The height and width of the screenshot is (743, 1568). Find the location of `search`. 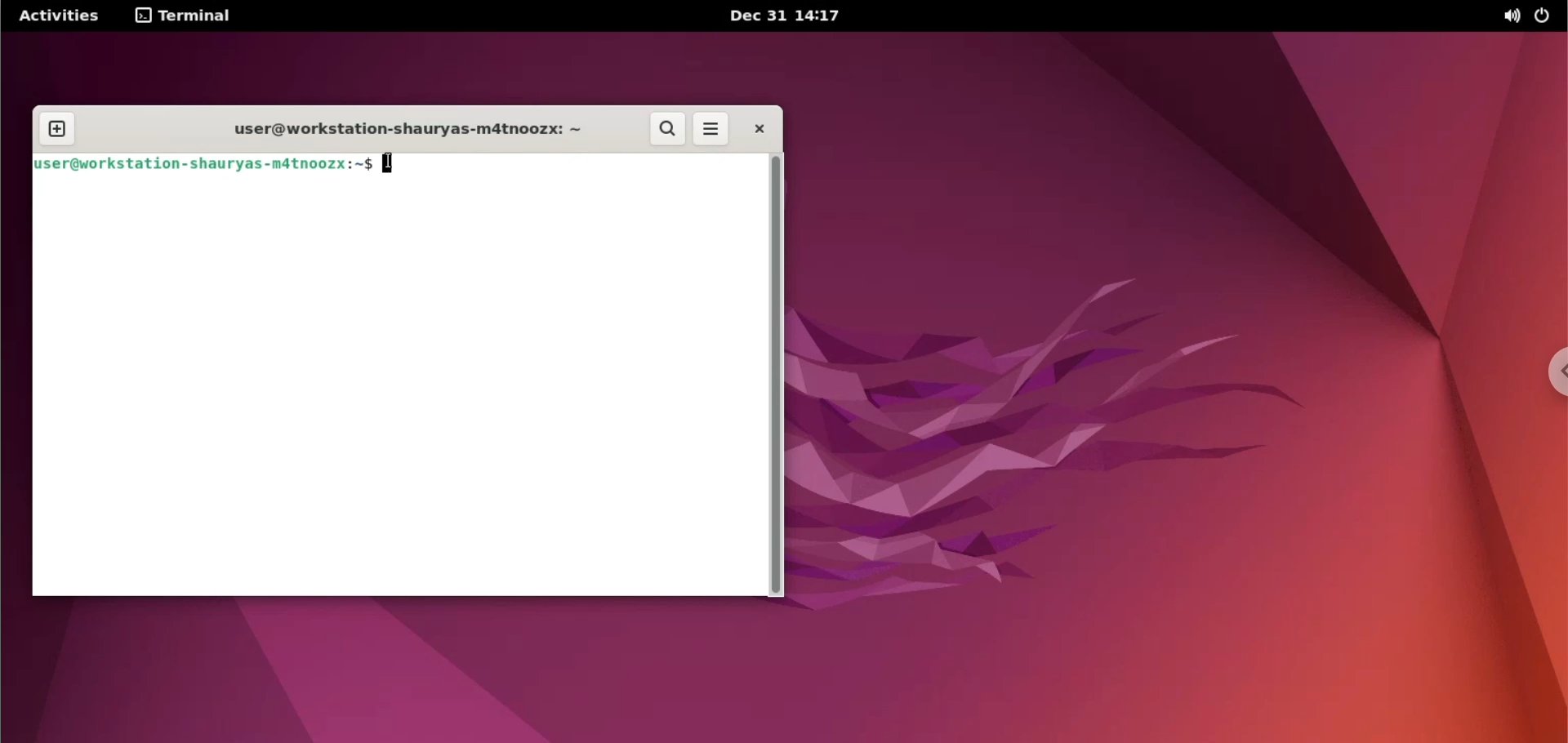

search is located at coordinates (666, 130).